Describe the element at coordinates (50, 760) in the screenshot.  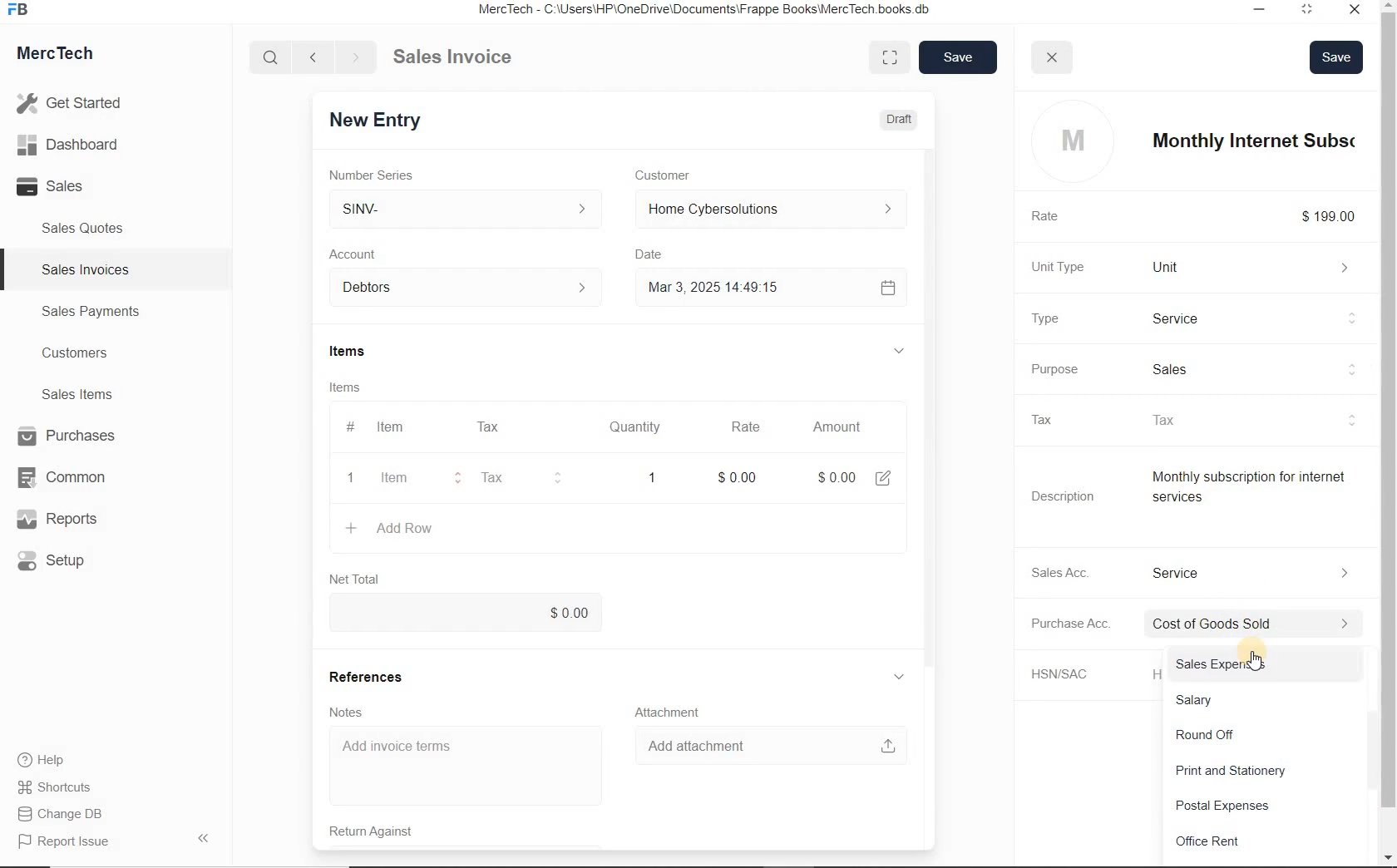
I see `Help` at that location.